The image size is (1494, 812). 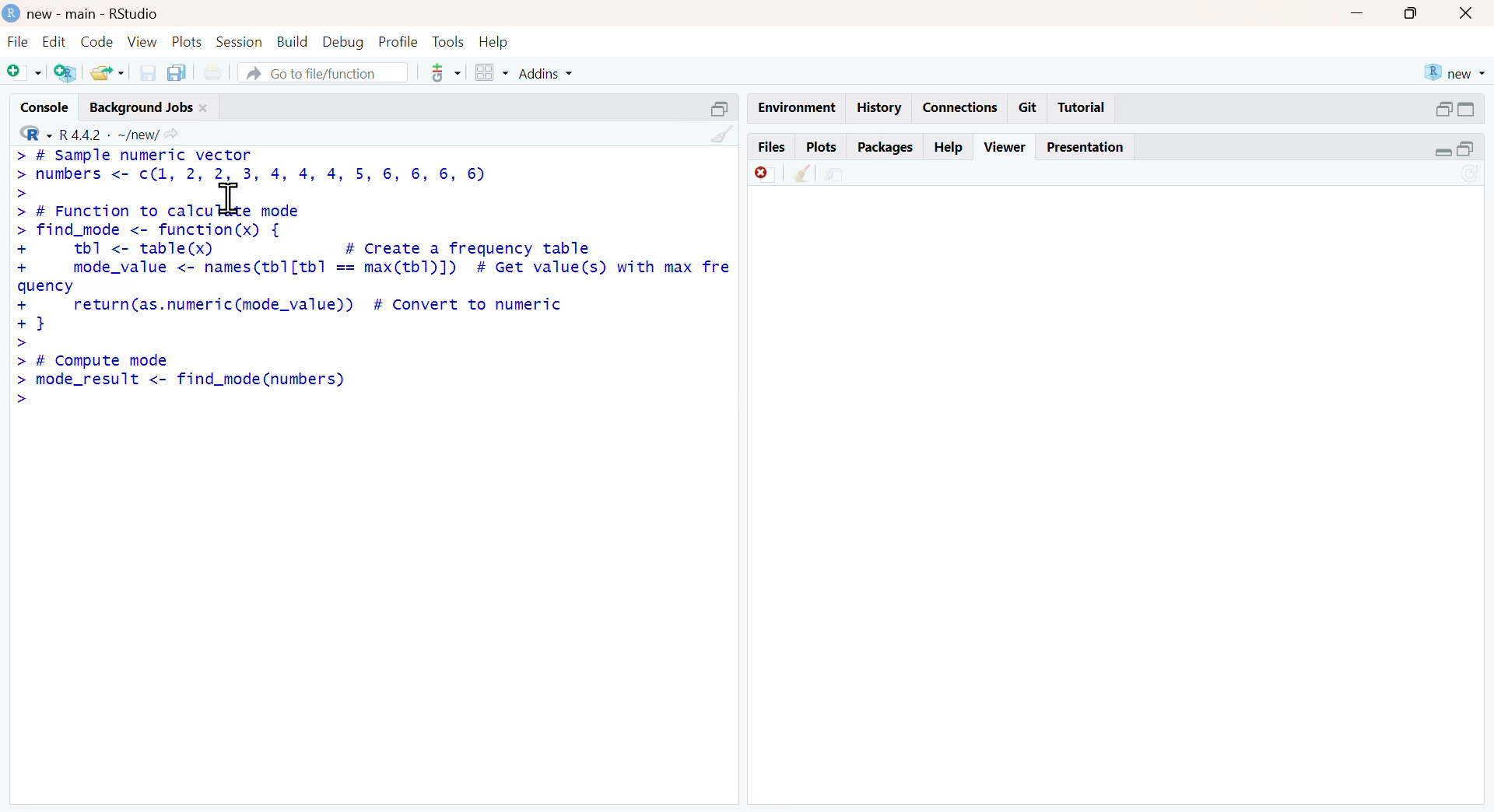 I want to click on sync, so click(x=1471, y=176).